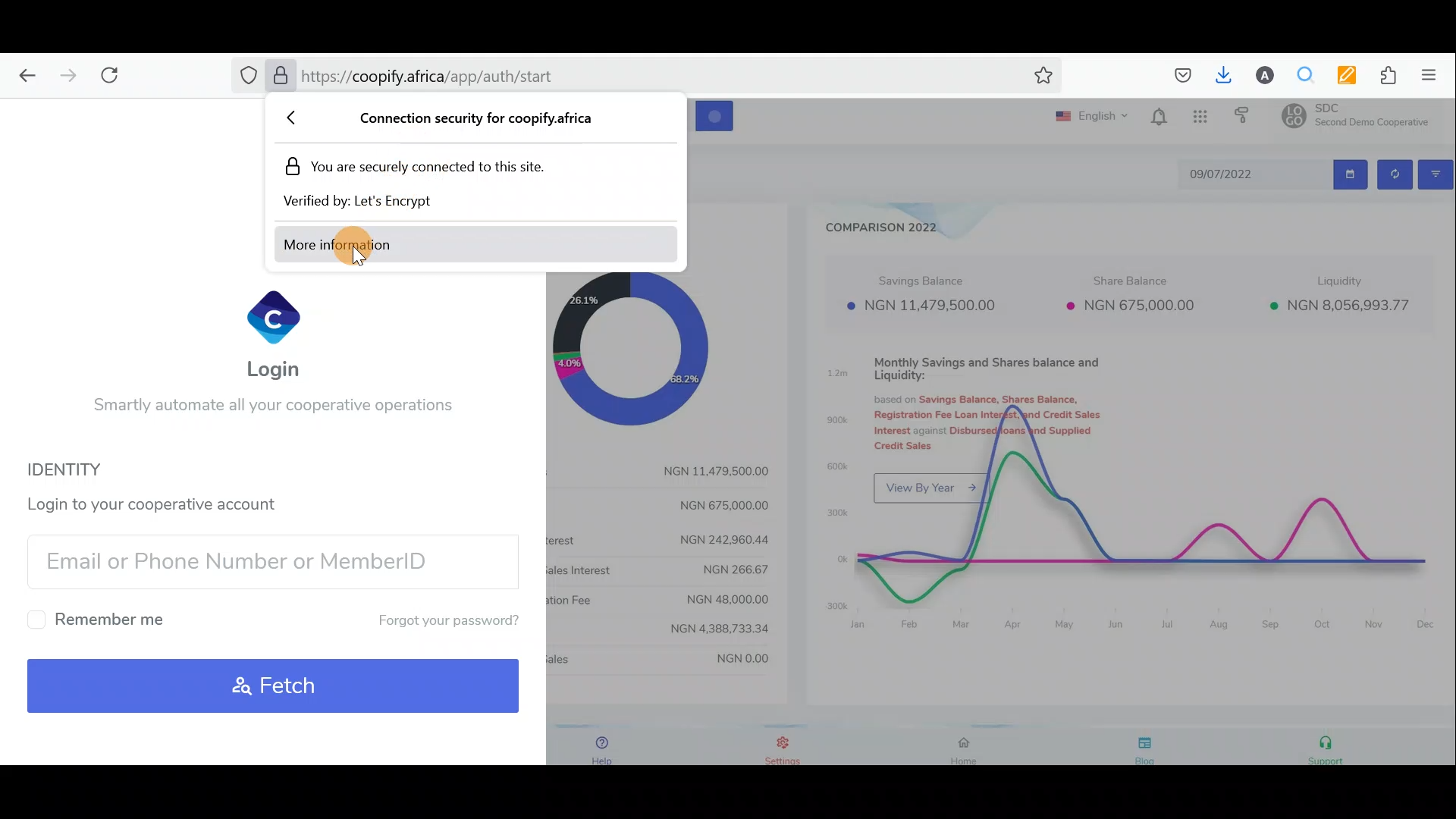 The height and width of the screenshot is (819, 1456). I want to click on Login, so click(276, 334).